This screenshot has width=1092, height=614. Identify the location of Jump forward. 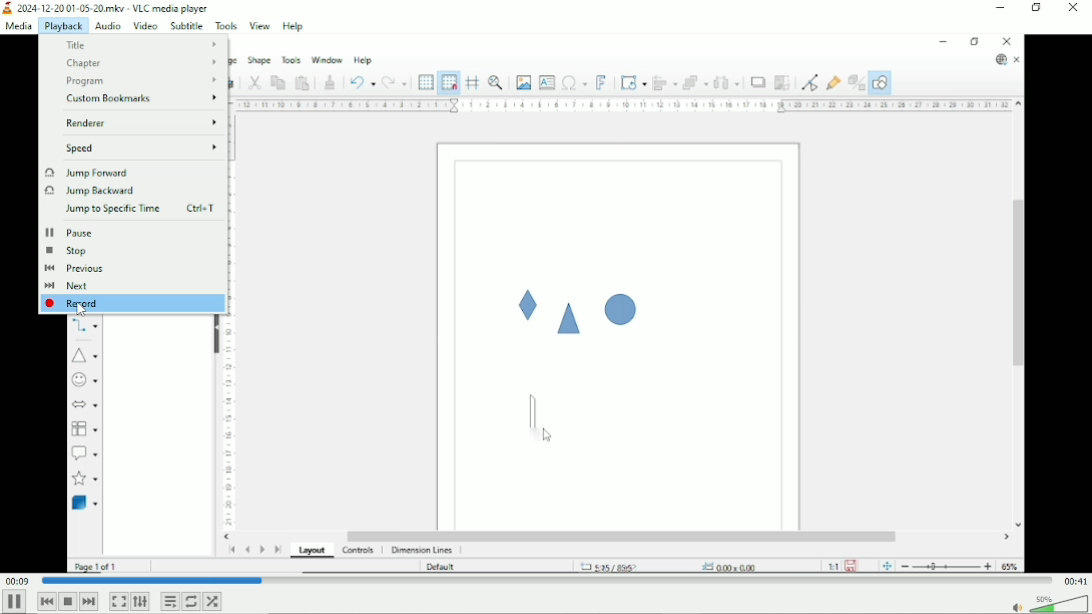
(88, 172).